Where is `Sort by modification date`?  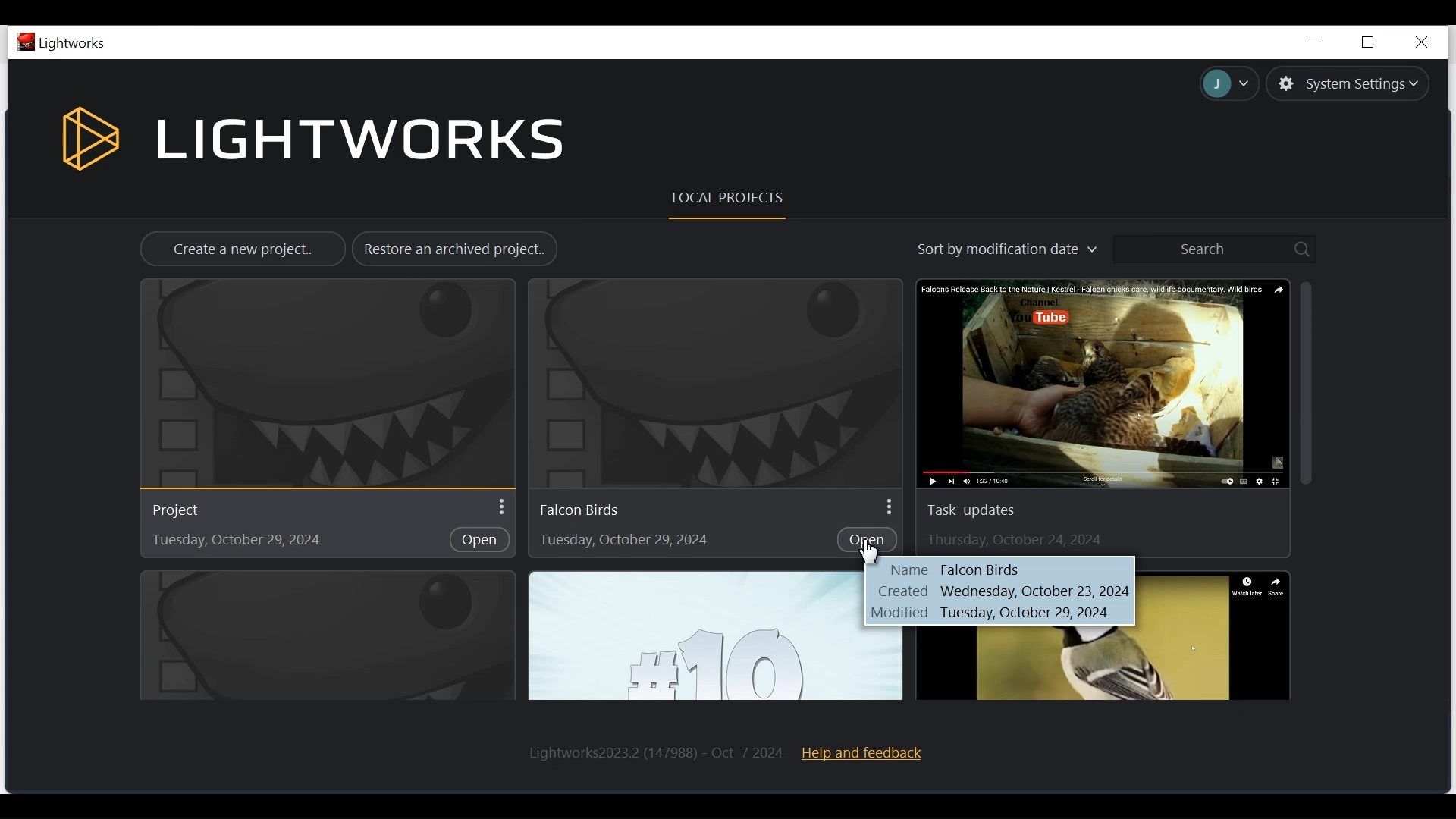
Sort by modification date is located at coordinates (996, 251).